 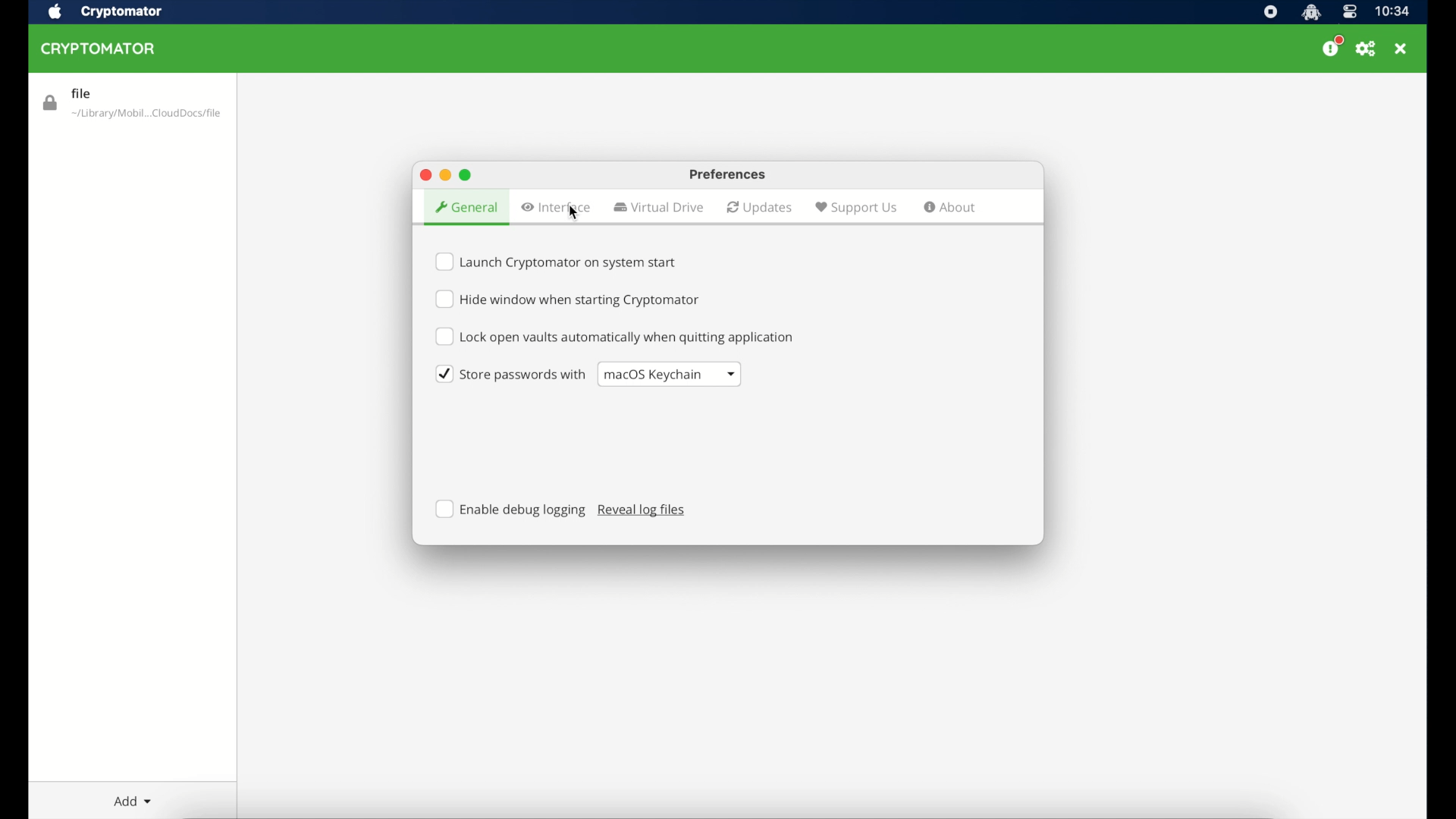 What do you see at coordinates (670, 374) in the screenshot?
I see `dropdown` at bounding box center [670, 374].